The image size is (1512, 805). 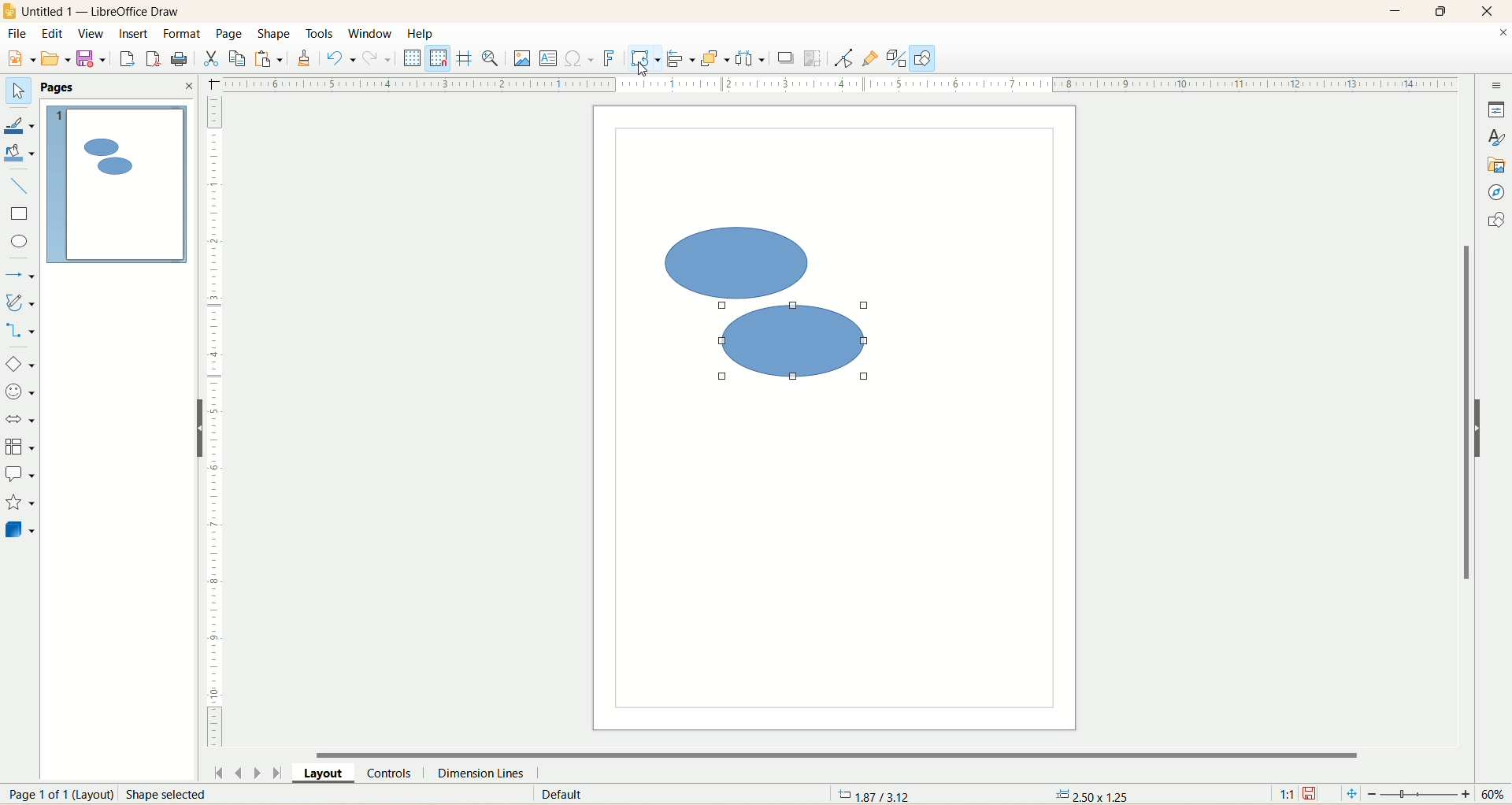 What do you see at coordinates (215, 423) in the screenshot?
I see `scale bar` at bounding box center [215, 423].